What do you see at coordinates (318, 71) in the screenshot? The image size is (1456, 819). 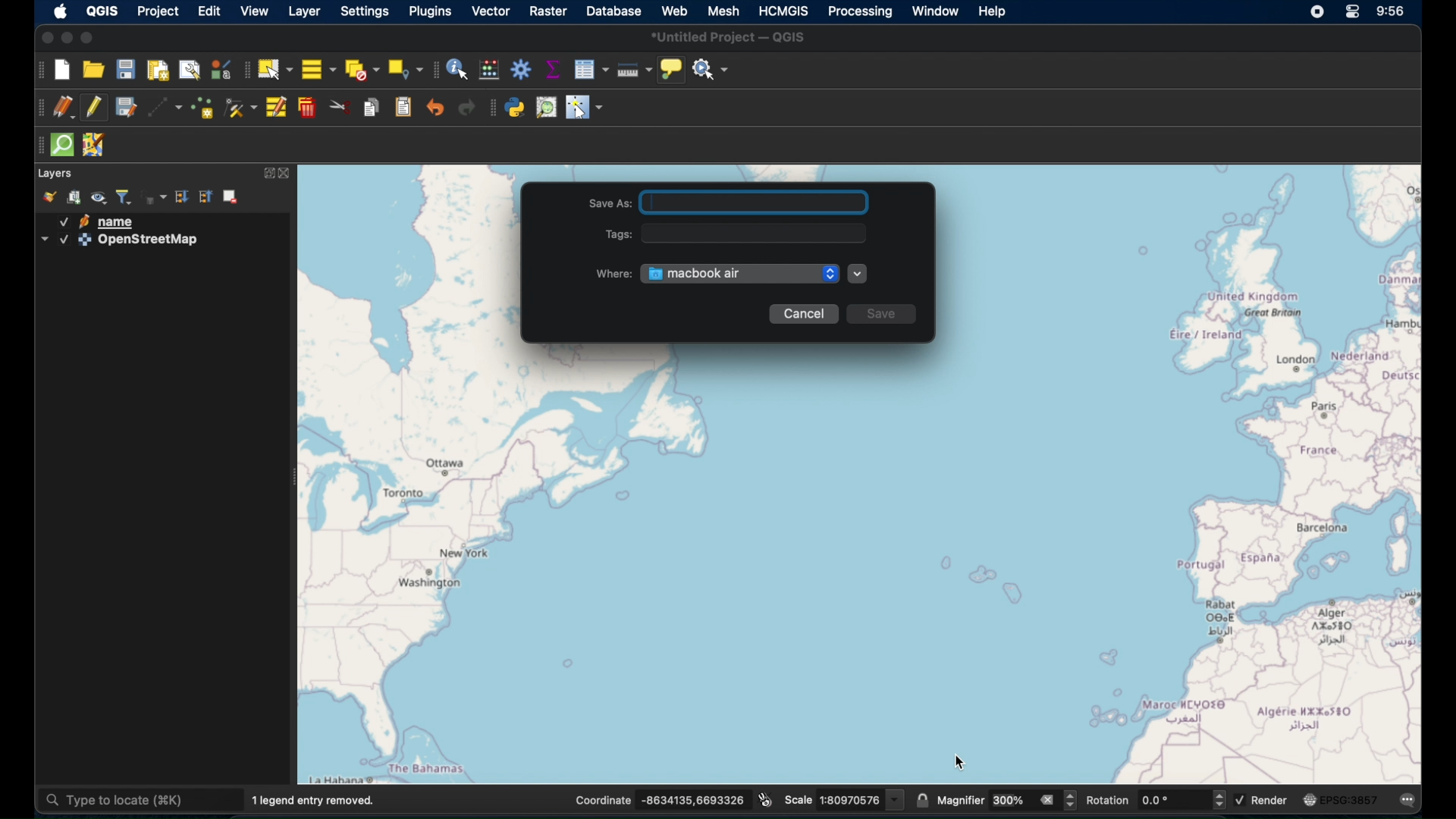 I see `select all features` at bounding box center [318, 71].